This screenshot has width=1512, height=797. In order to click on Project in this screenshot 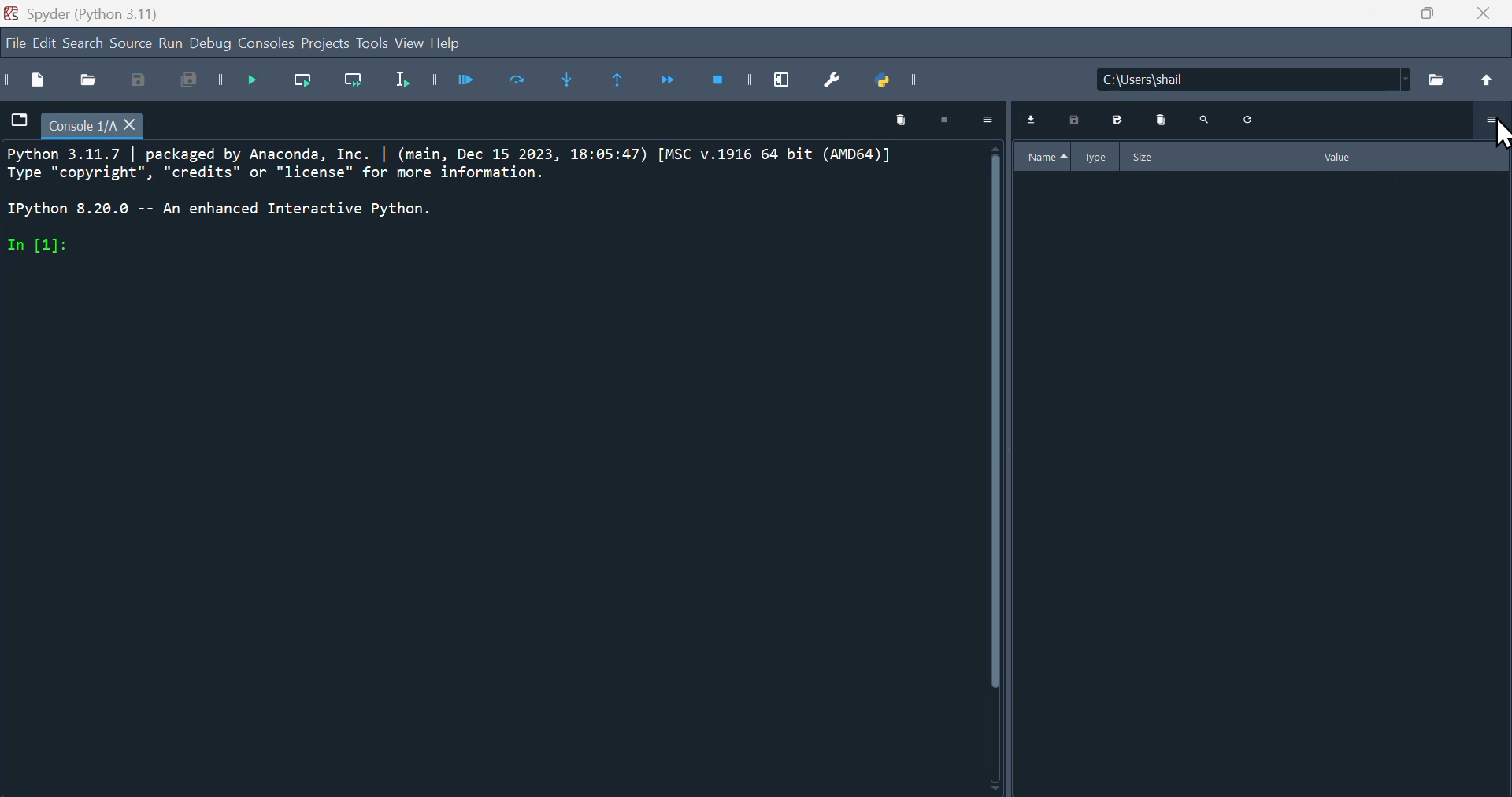, I will do `click(325, 46)`.